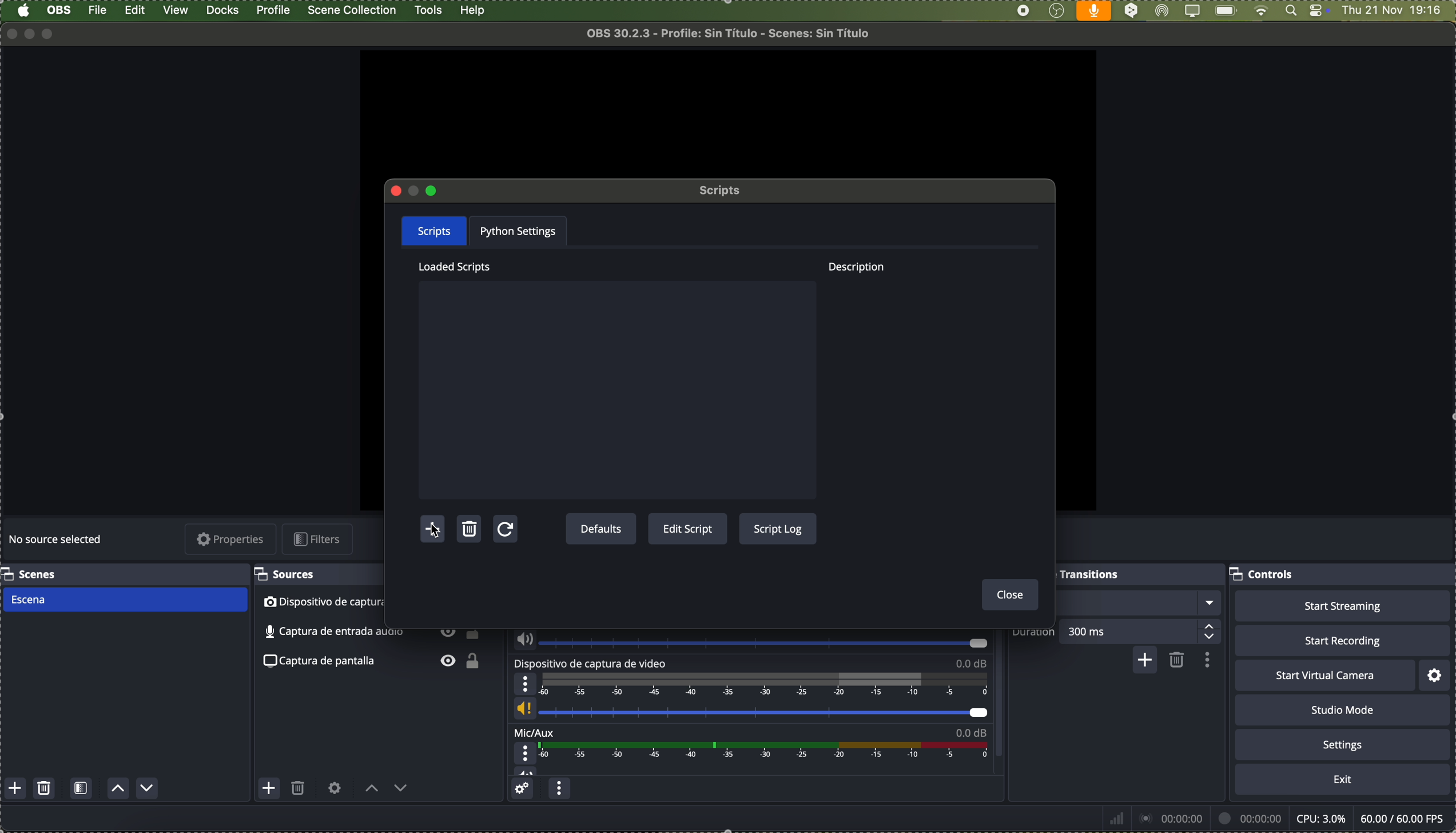  What do you see at coordinates (1275, 818) in the screenshot?
I see `data` at bounding box center [1275, 818].